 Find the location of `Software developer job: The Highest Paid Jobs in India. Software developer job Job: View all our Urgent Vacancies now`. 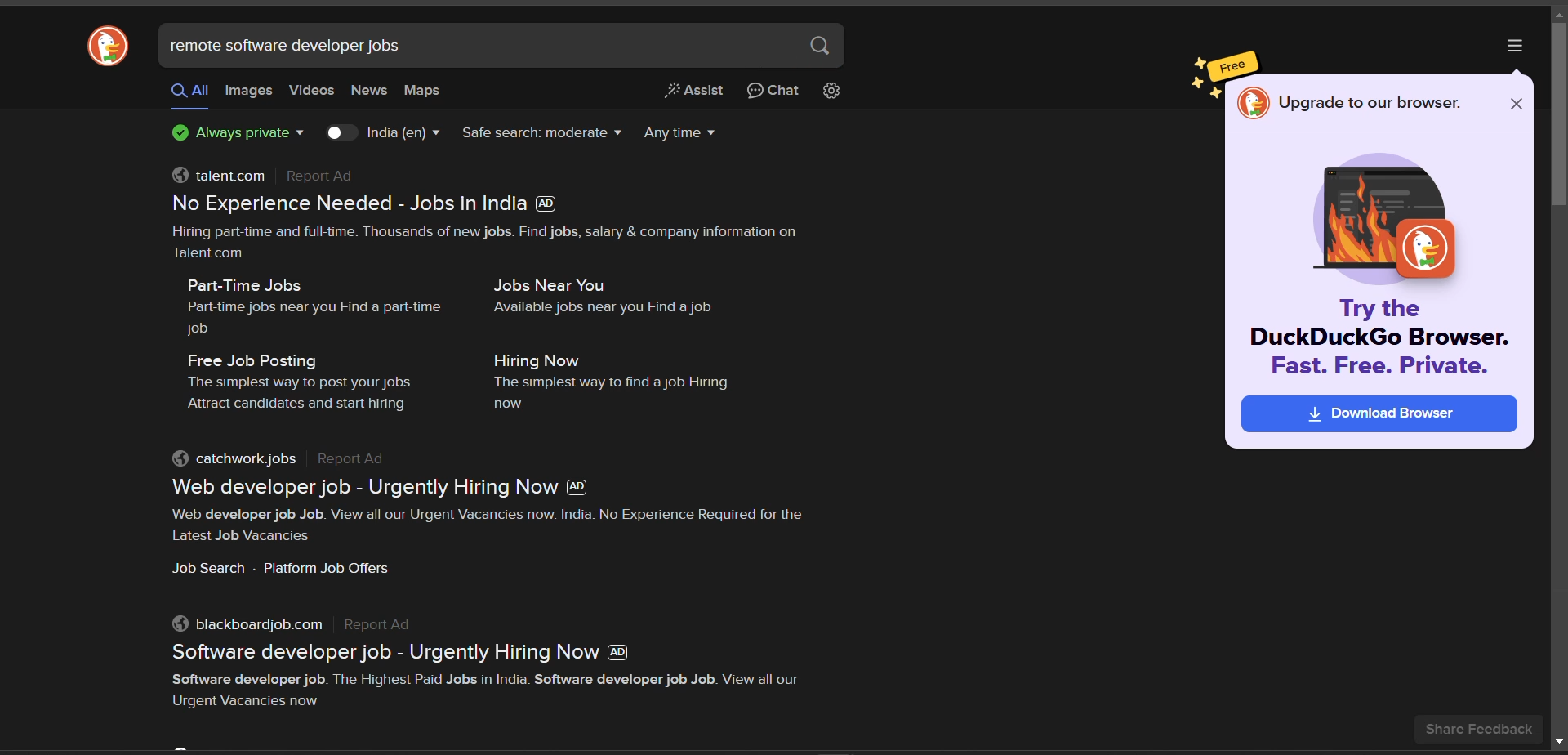

Software developer job: The Highest Paid Jobs in India. Software developer job Job: View all our Urgent Vacancies now is located at coordinates (492, 692).